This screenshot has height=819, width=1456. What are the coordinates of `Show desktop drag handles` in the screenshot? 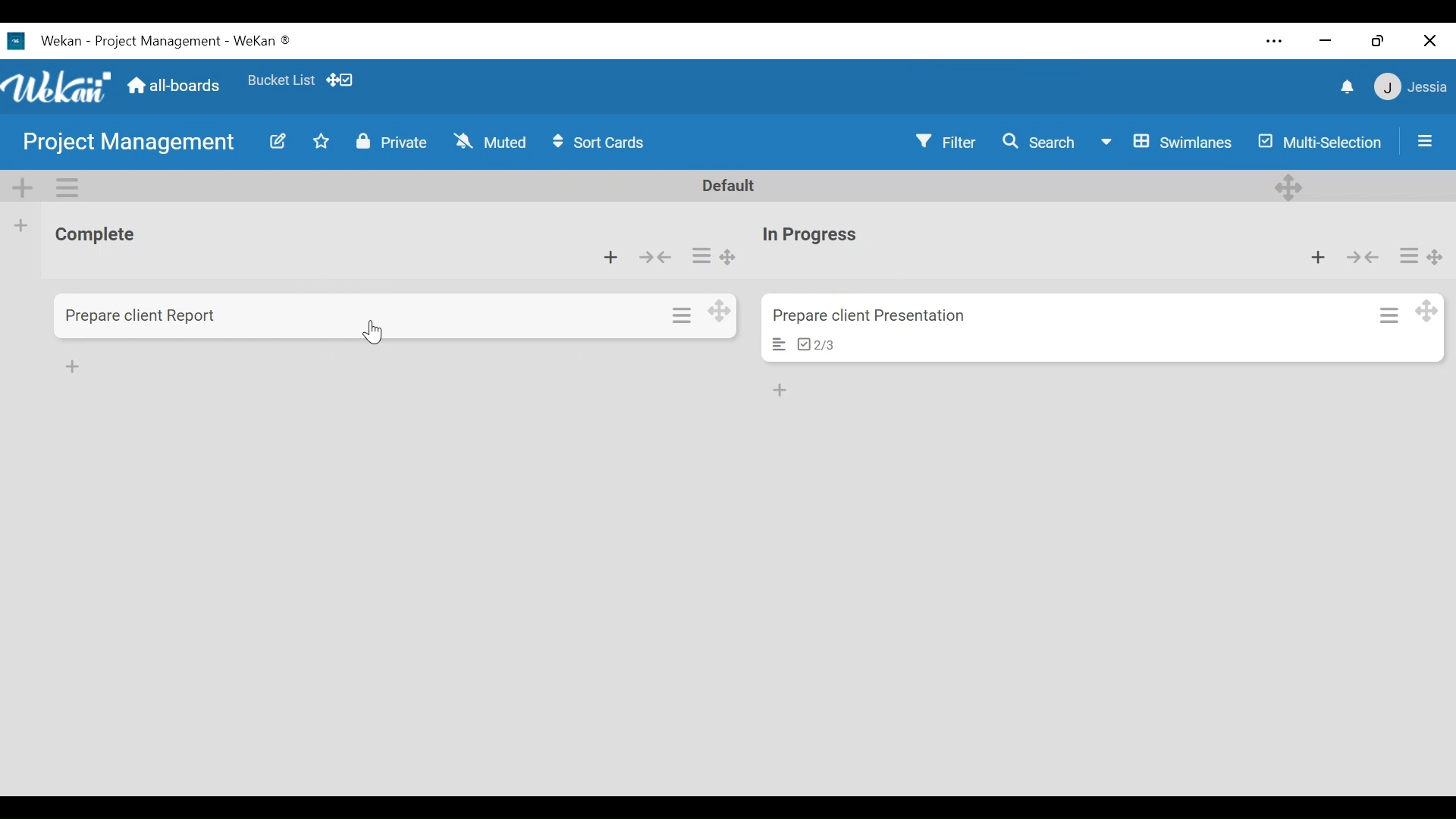 It's located at (344, 80).